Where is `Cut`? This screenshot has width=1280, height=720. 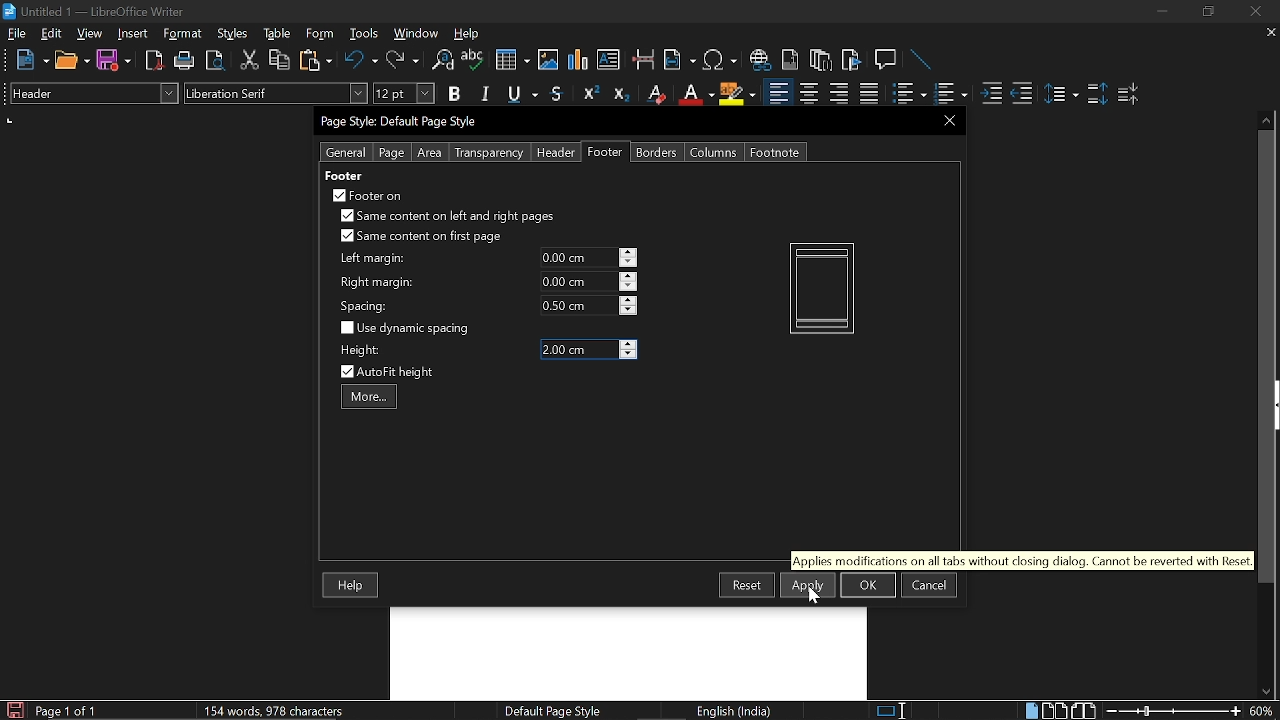 Cut is located at coordinates (250, 60).